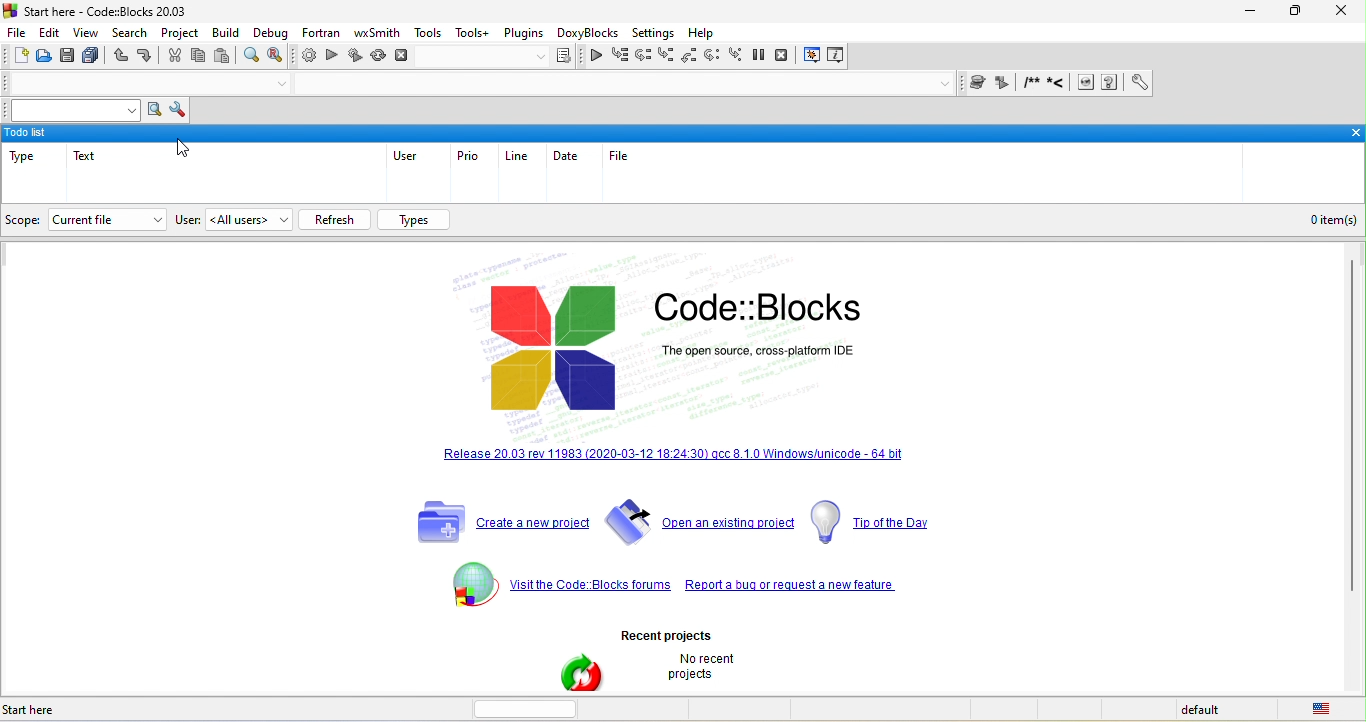 Image resolution: width=1366 pixels, height=722 pixels. Describe the element at coordinates (1135, 83) in the screenshot. I see `open preference` at that location.